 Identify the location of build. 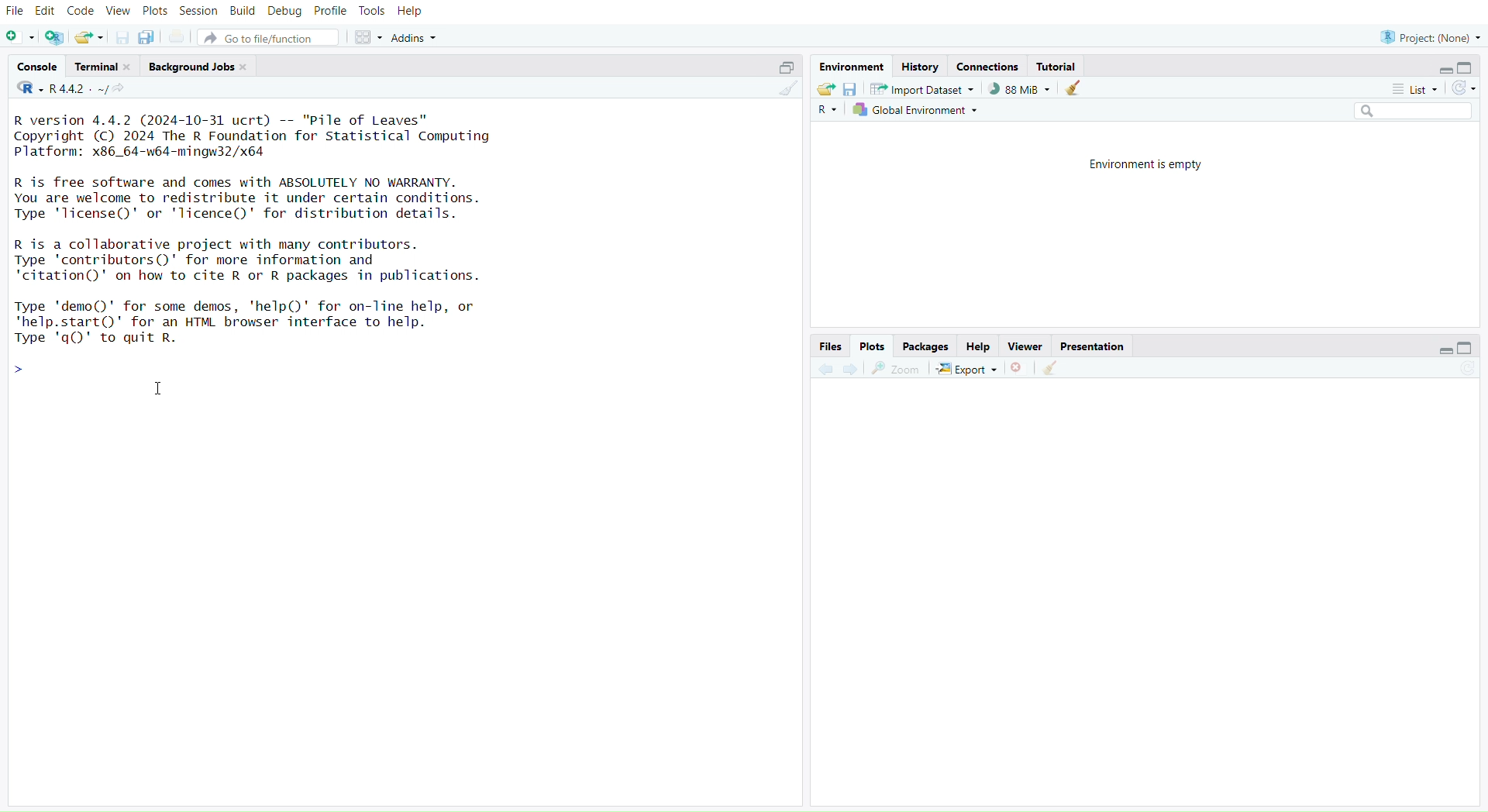
(243, 11).